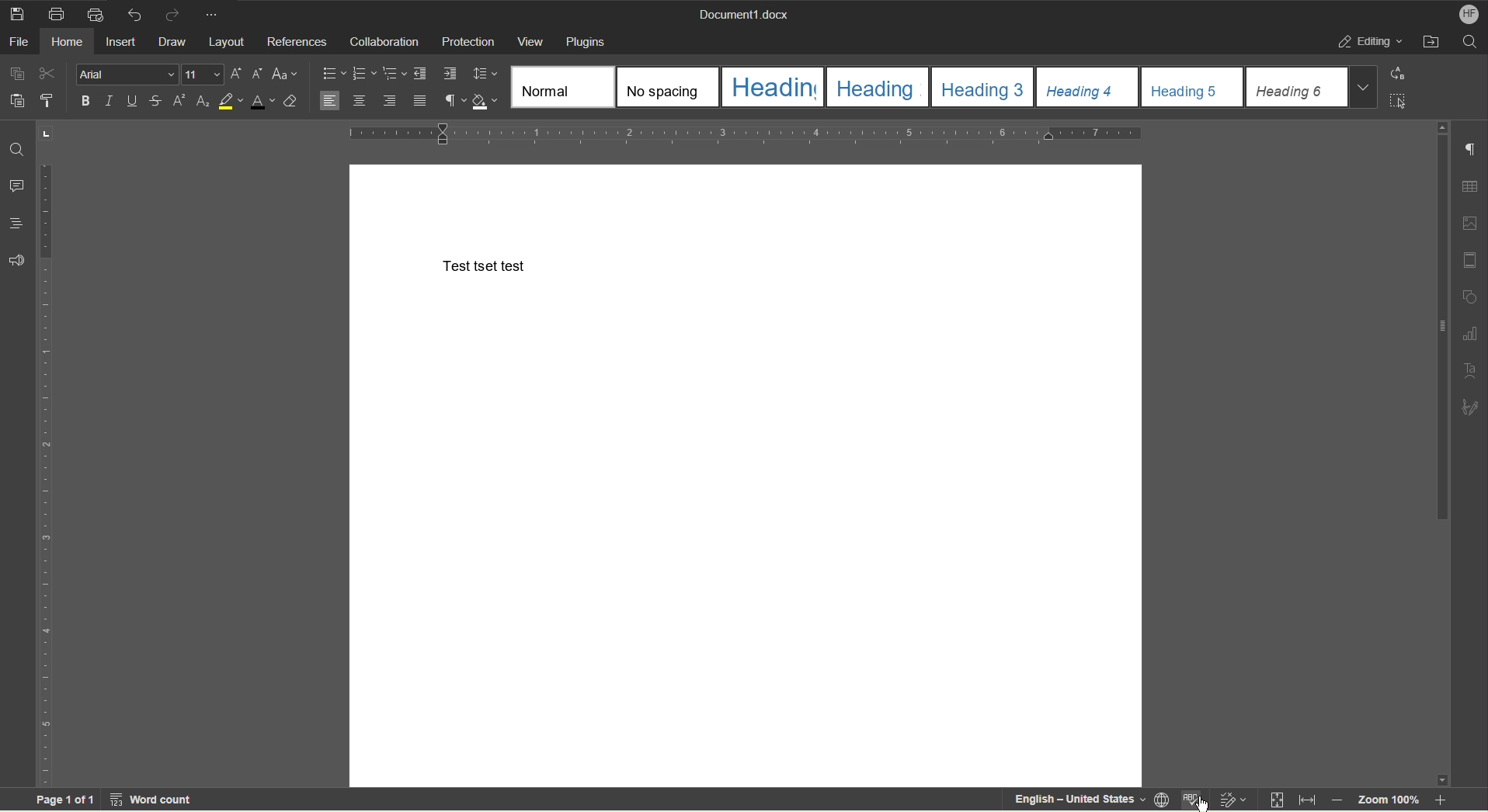 This screenshot has width=1488, height=812. I want to click on cursor, so click(1202, 805).